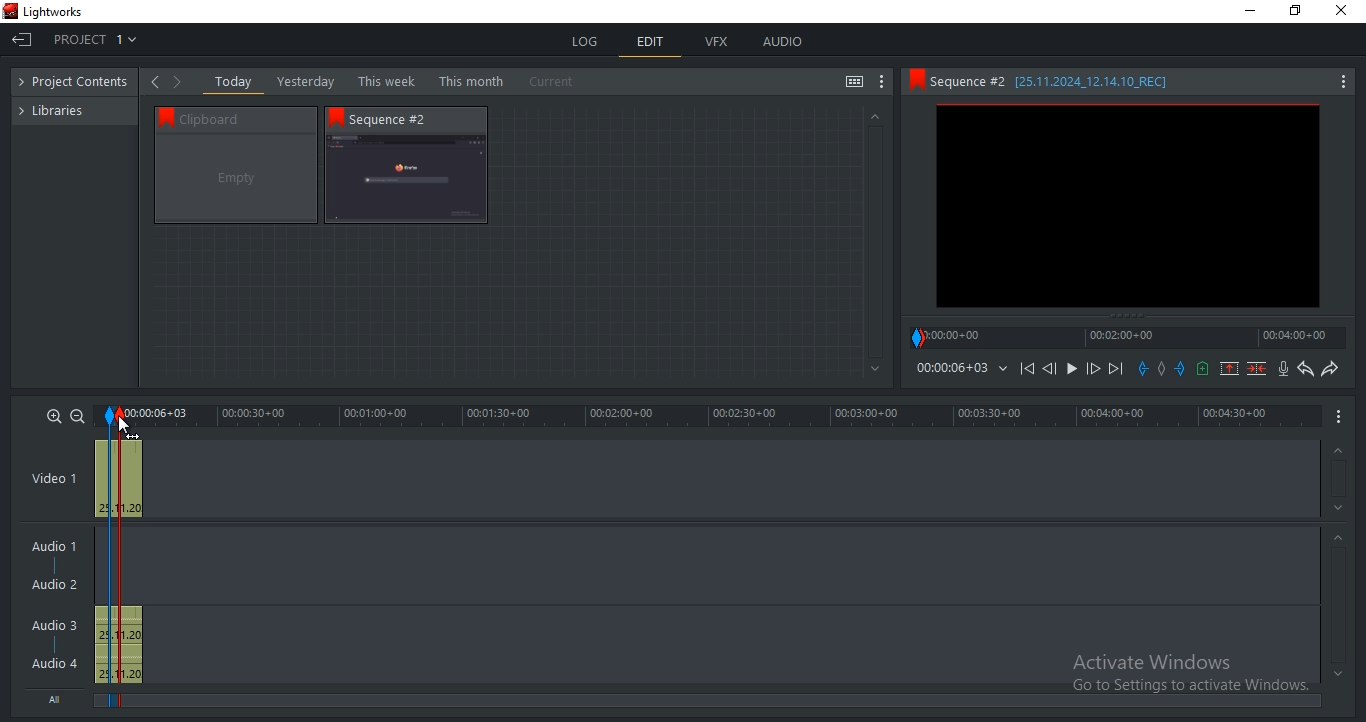 The height and width of the screenshot is (722, 1366). What do you see at coordinates (873, 115) in the screenshot?
I see `greyed out up arrow` at bounding box center [873, 115].